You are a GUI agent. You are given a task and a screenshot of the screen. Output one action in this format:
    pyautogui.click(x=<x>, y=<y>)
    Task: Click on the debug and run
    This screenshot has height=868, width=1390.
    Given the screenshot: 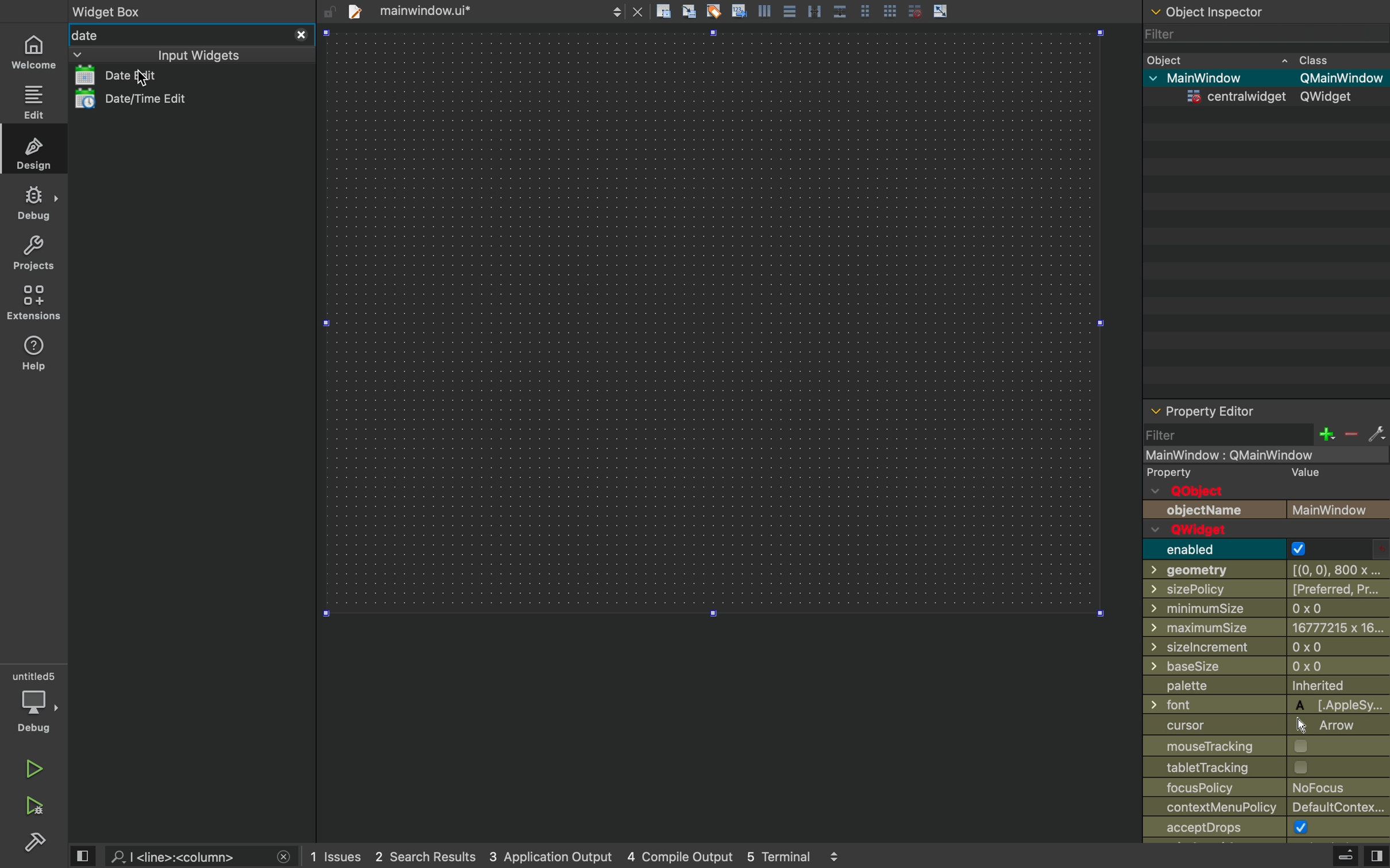 What is the action you would take?
    pyautogui.click(x=37, y=805)
    